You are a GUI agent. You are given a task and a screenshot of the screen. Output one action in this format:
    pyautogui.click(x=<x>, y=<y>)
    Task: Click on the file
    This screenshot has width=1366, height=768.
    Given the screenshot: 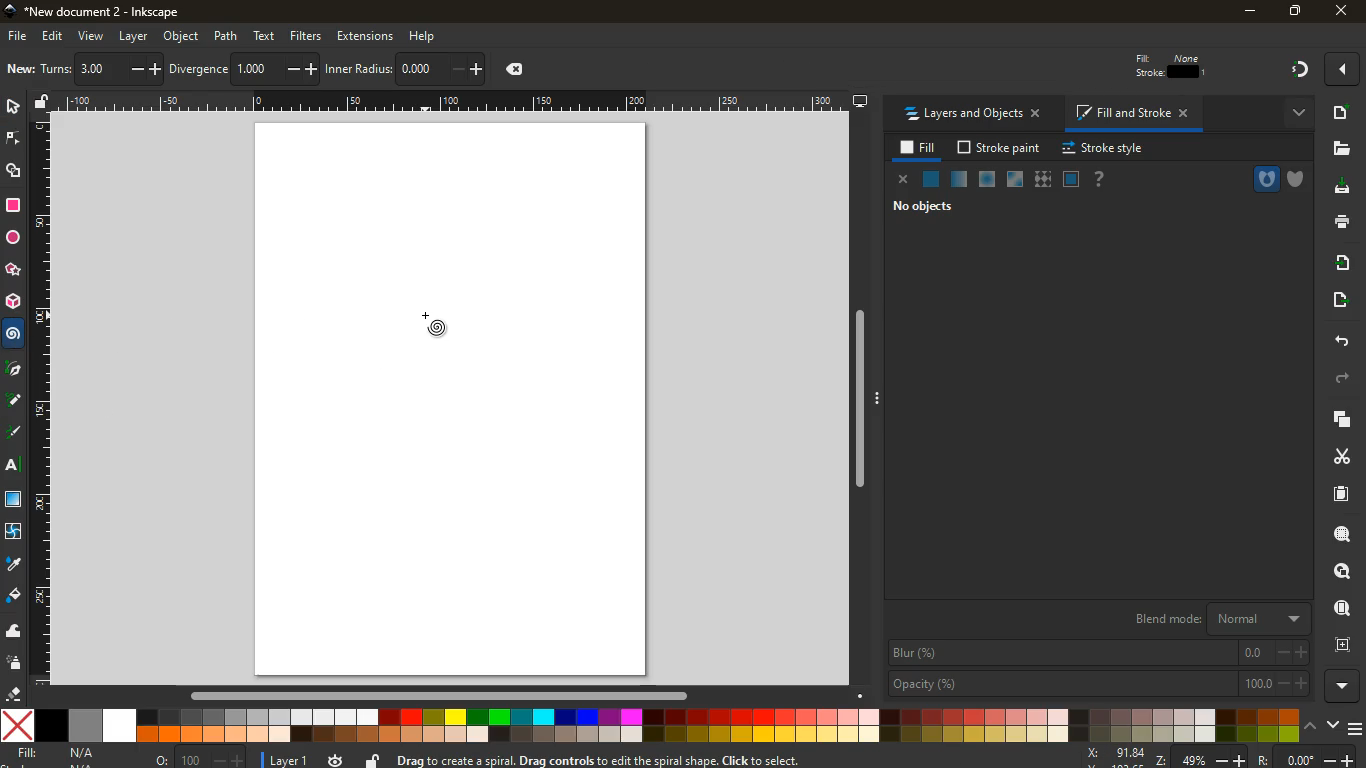 What is the action you would take?
    pyautogui.click(x=18, y=36)
    